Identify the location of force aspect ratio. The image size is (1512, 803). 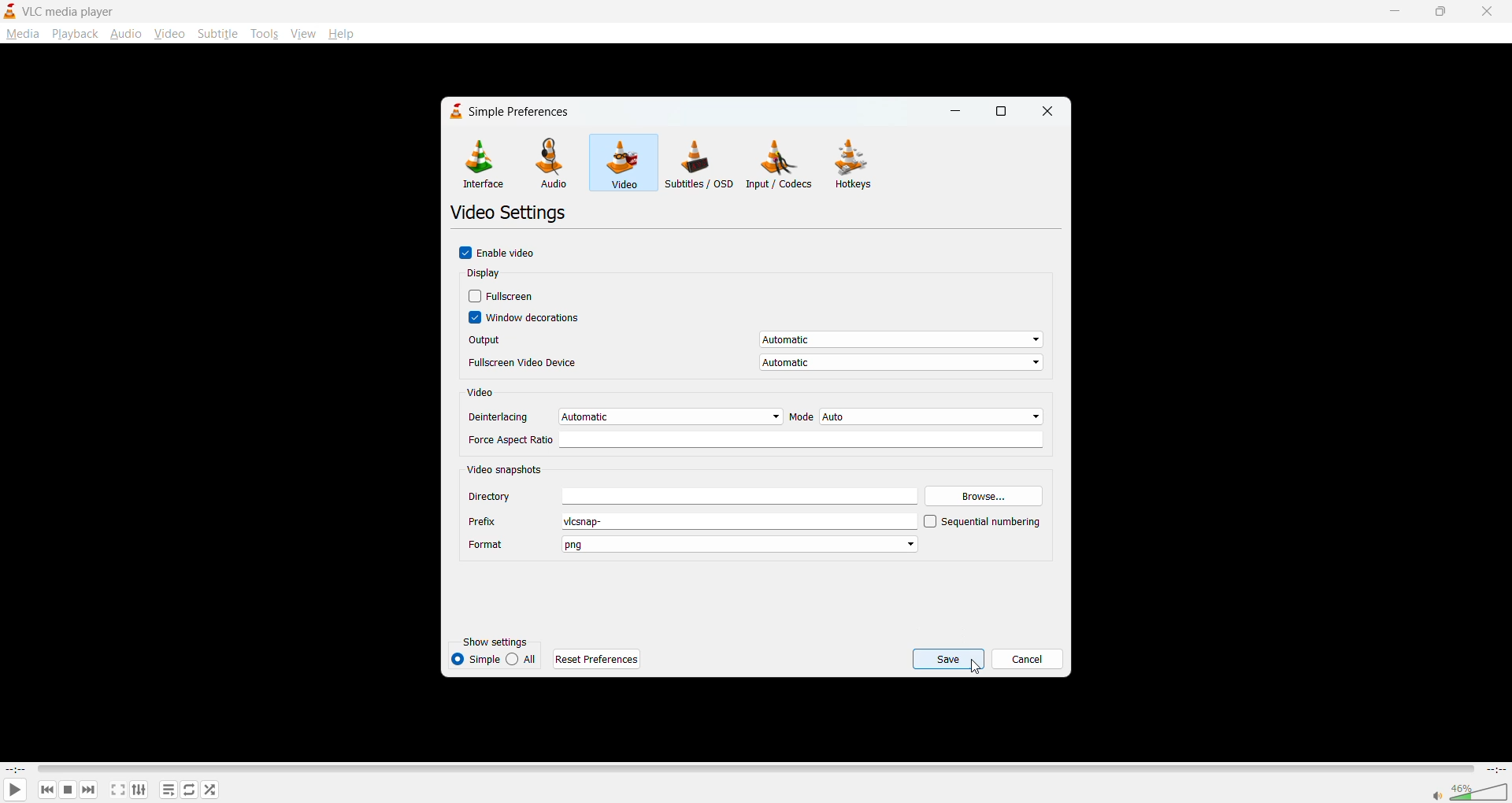
(758, 440).